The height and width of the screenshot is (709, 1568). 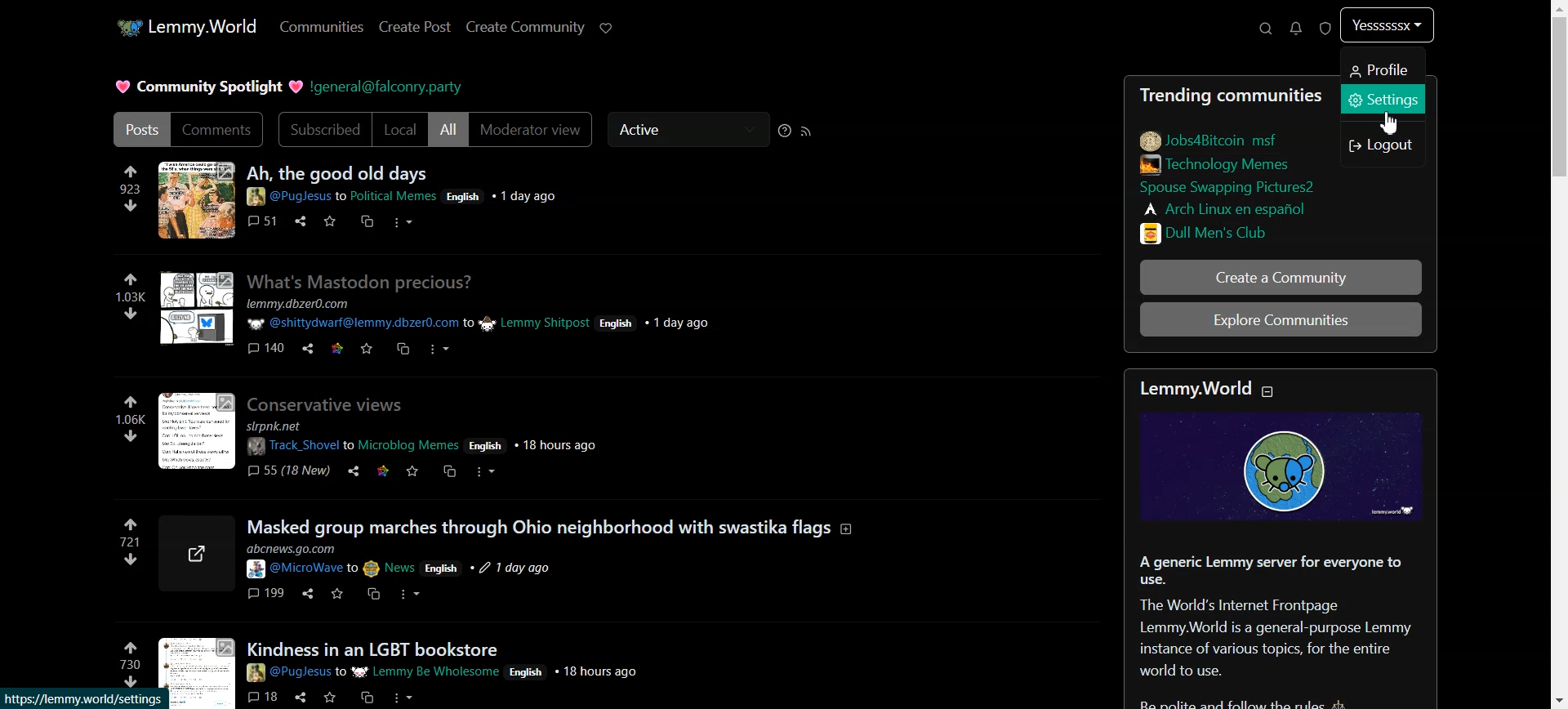 I want to click on cross share, so click(x=363, y=693).